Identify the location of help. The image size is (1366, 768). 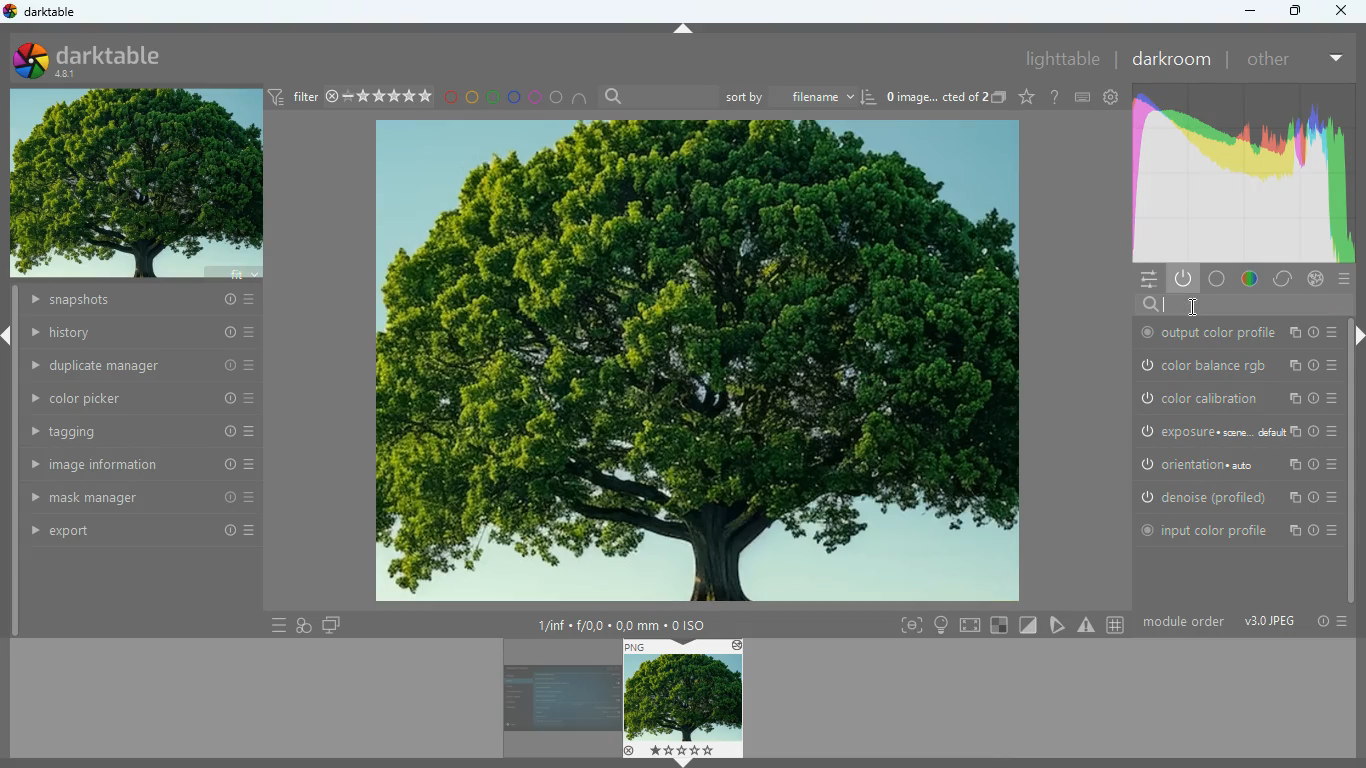
(1055, 97).